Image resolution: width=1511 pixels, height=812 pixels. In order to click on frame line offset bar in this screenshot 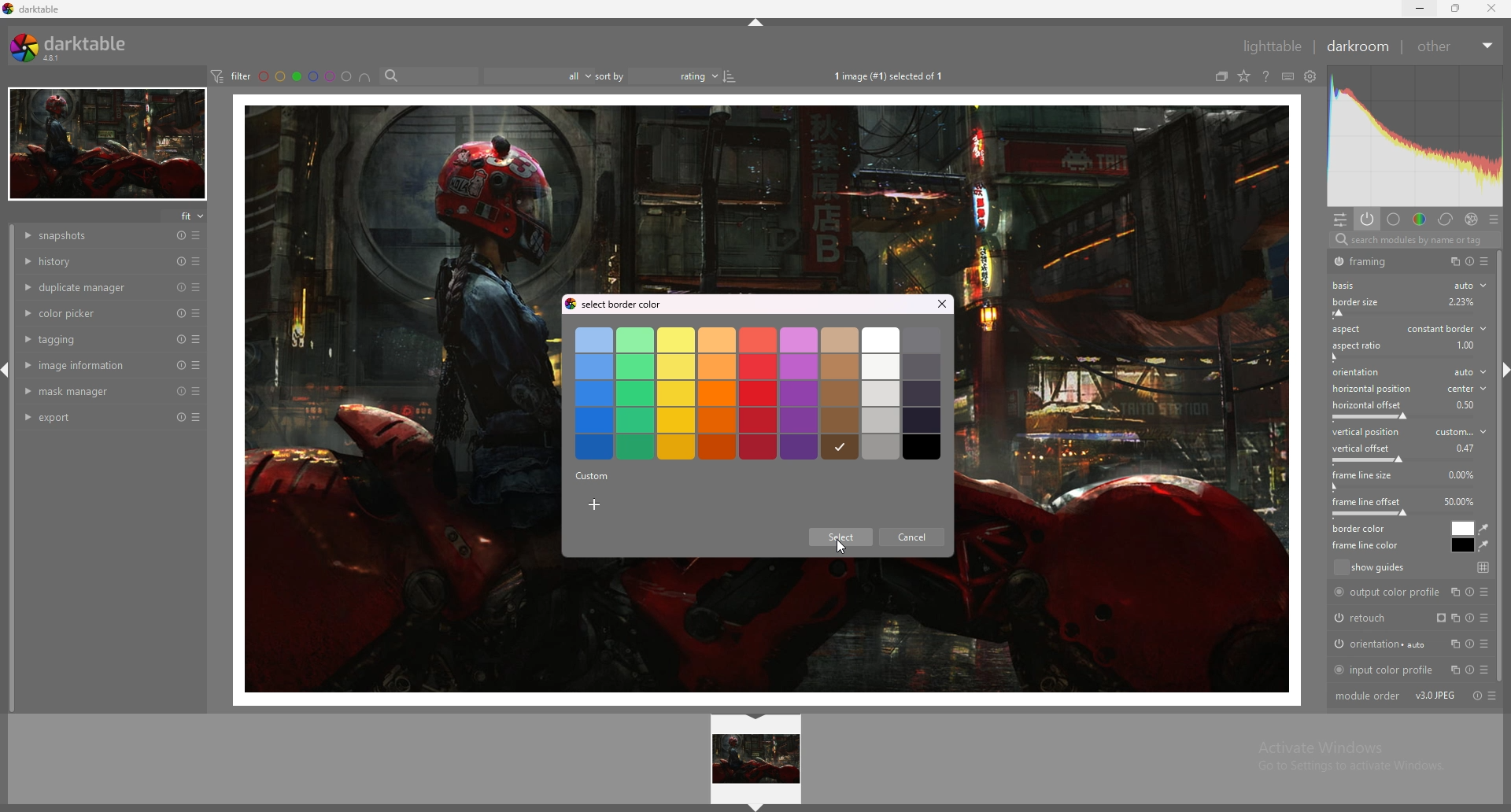, I will do `click(1405, 515)`.